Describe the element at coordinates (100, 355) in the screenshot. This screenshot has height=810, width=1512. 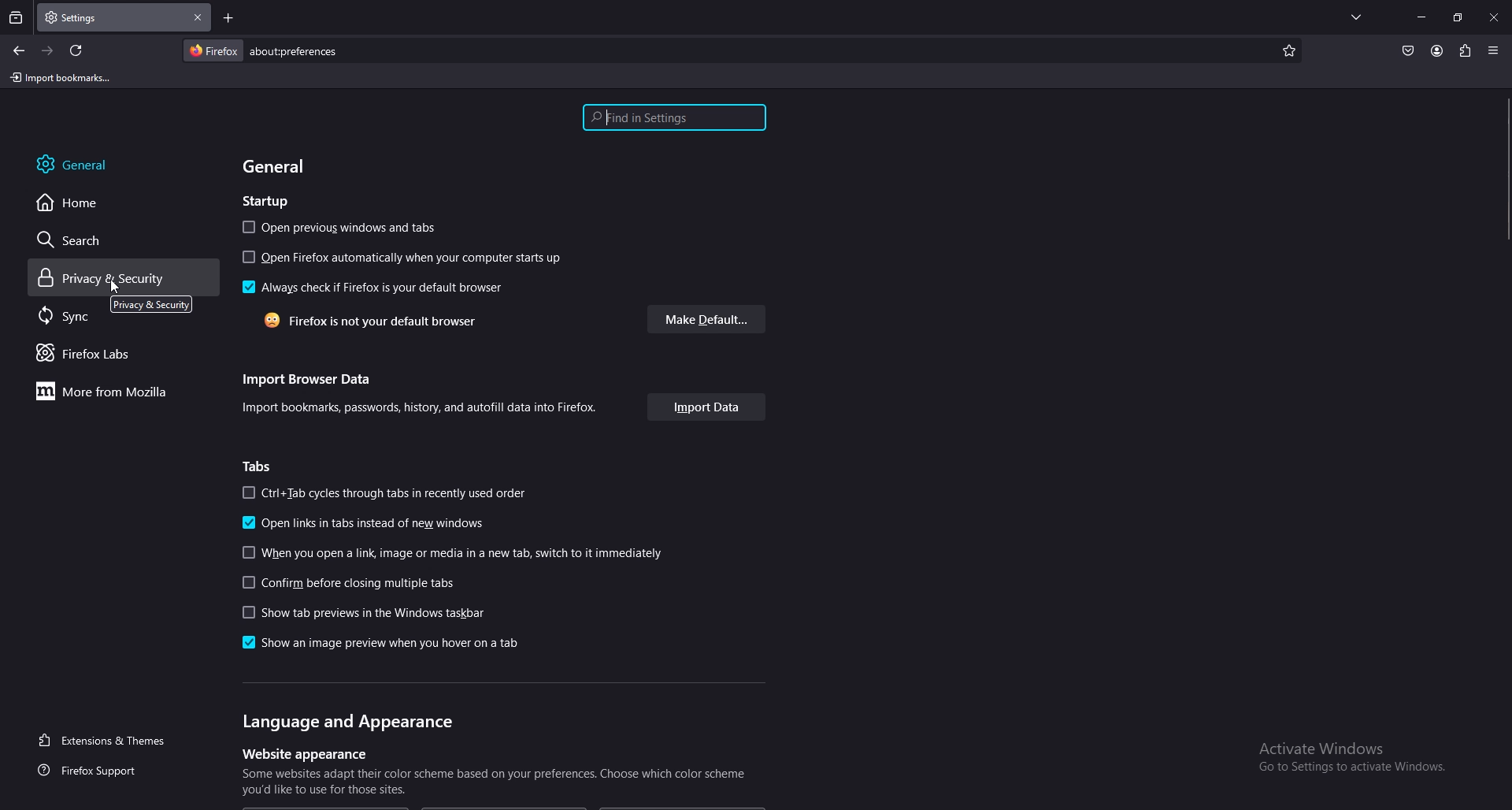
I see `firefox labs` at that location.